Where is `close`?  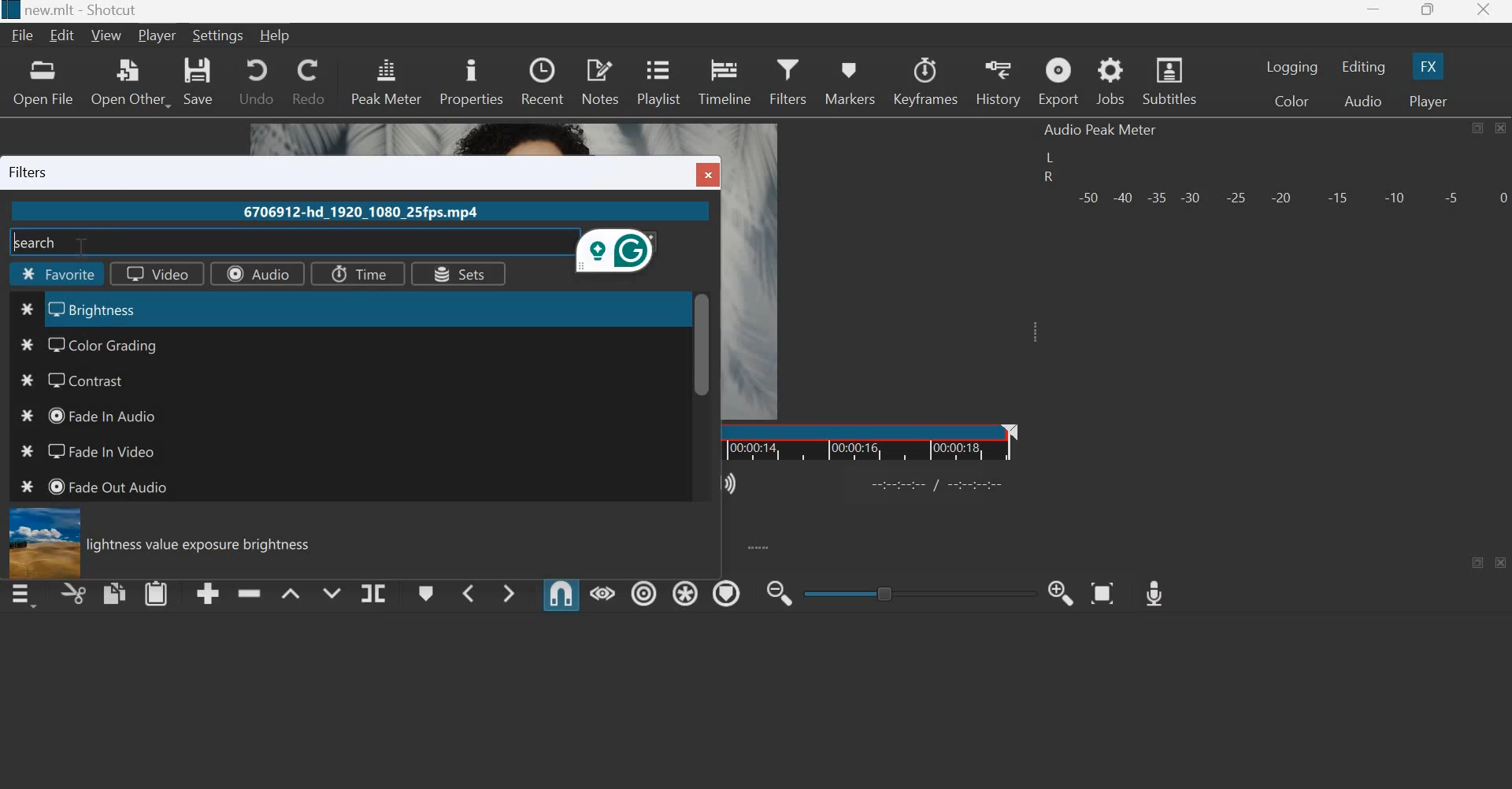 close is located at coordinates (1482, 12).